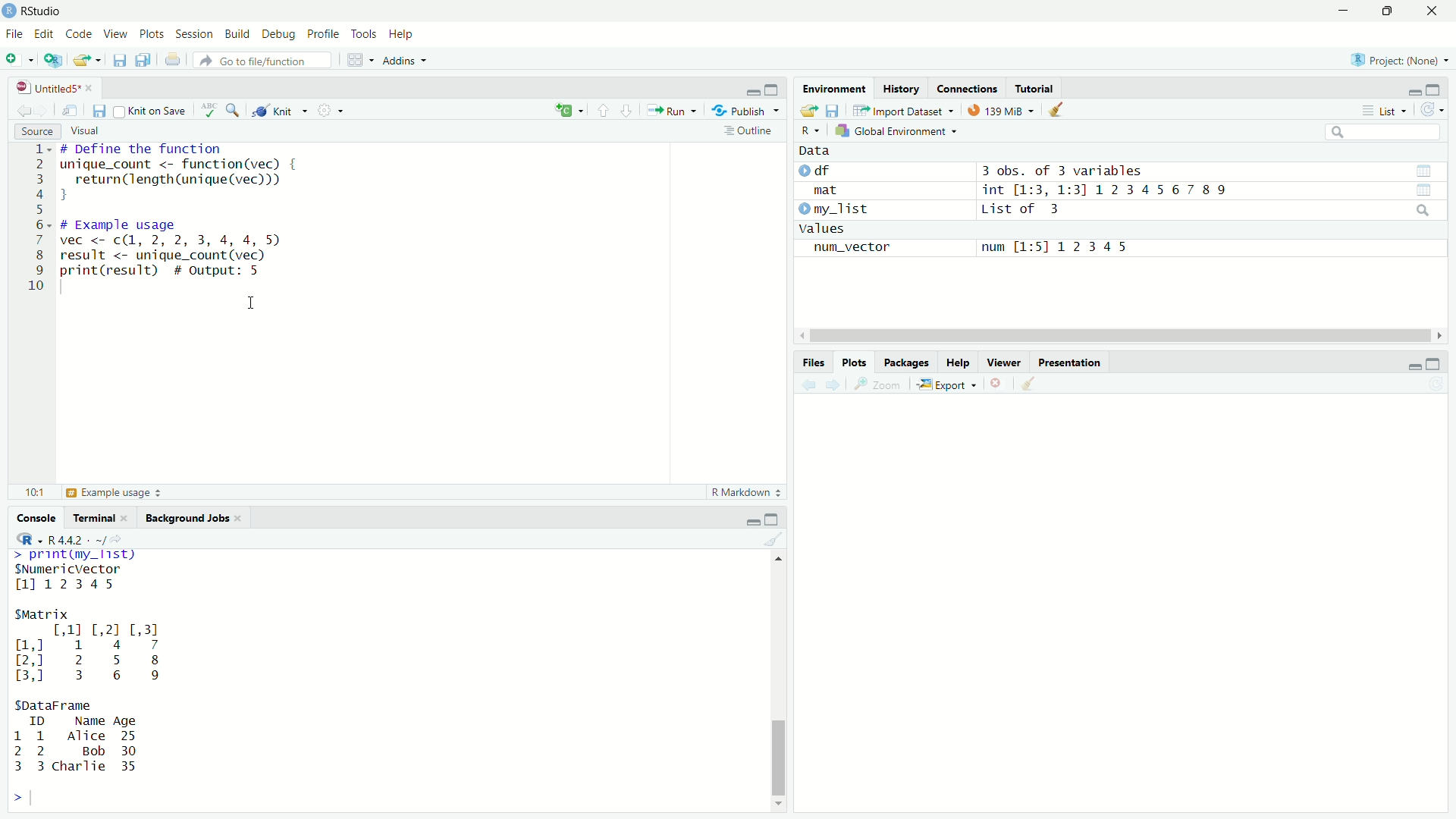 The width and height of the screenshot is (1456, 819). What do you see at coordinates (172, 61) in the screenshot?
I see `print current file` at bounding box center [172, 61].